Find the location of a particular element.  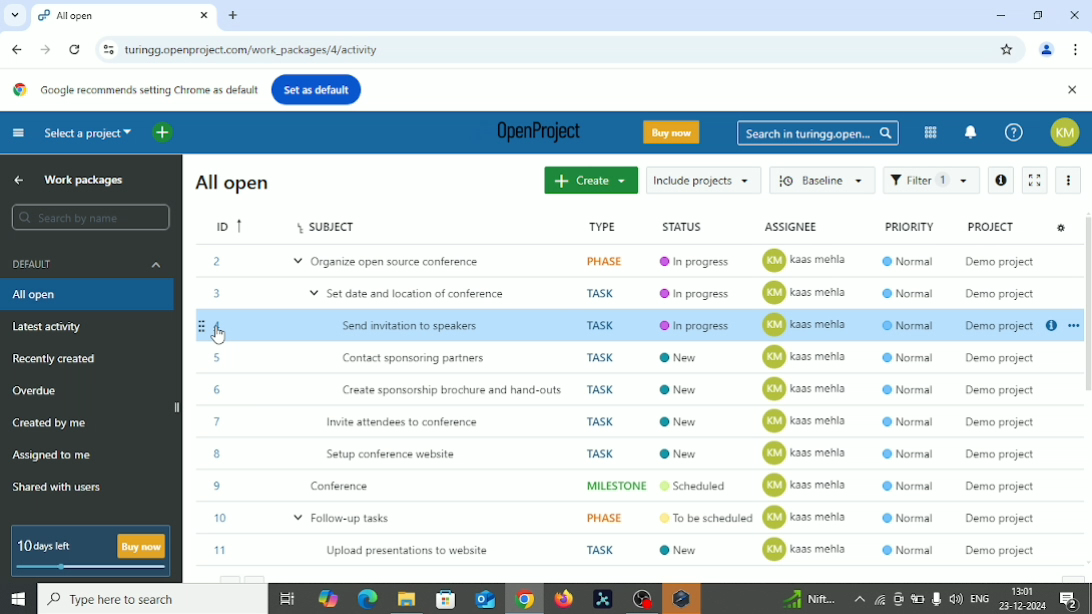

task: Create sponsorship brochure and hand-out is located at coordinates (623, 389).